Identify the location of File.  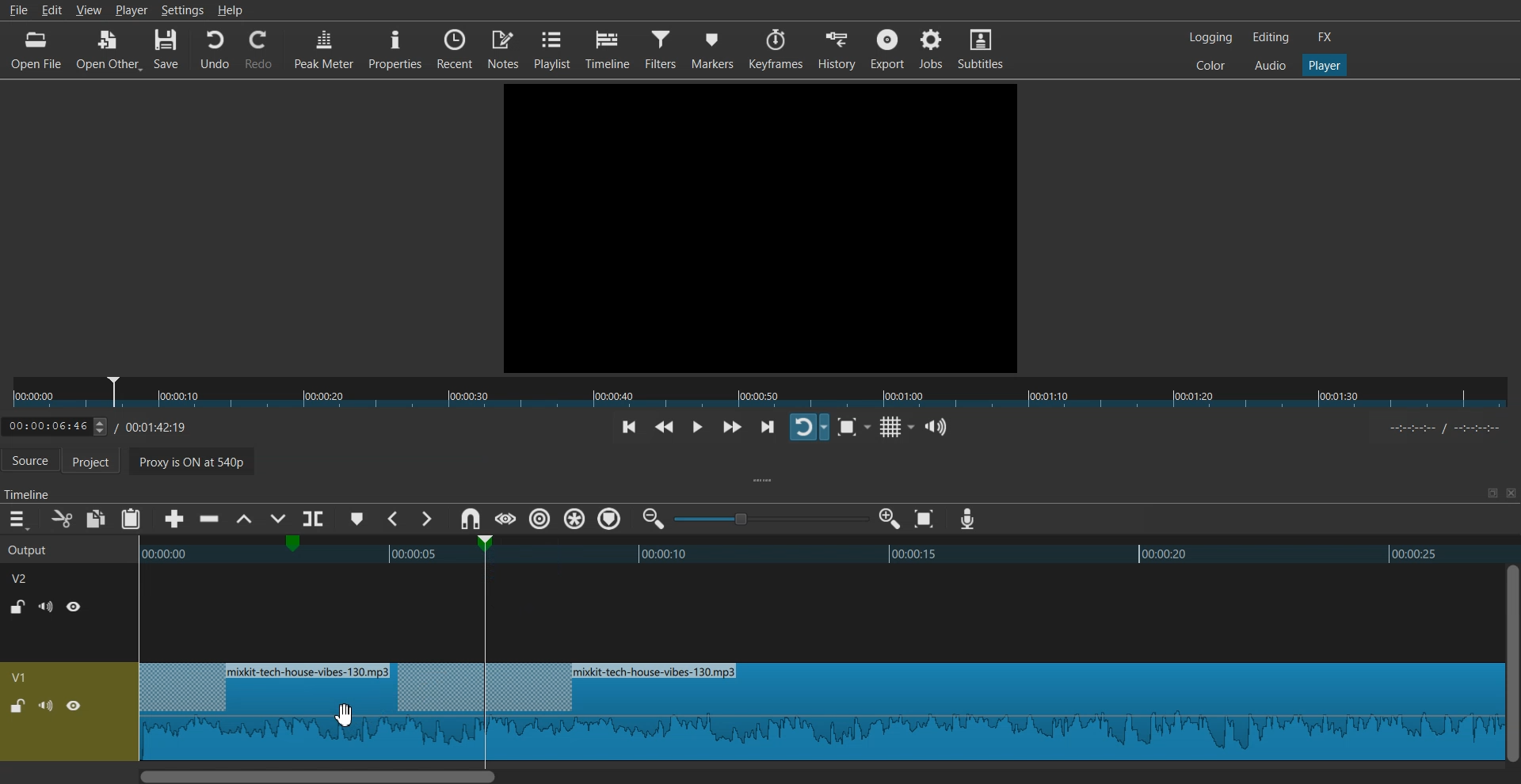
(17, 10).